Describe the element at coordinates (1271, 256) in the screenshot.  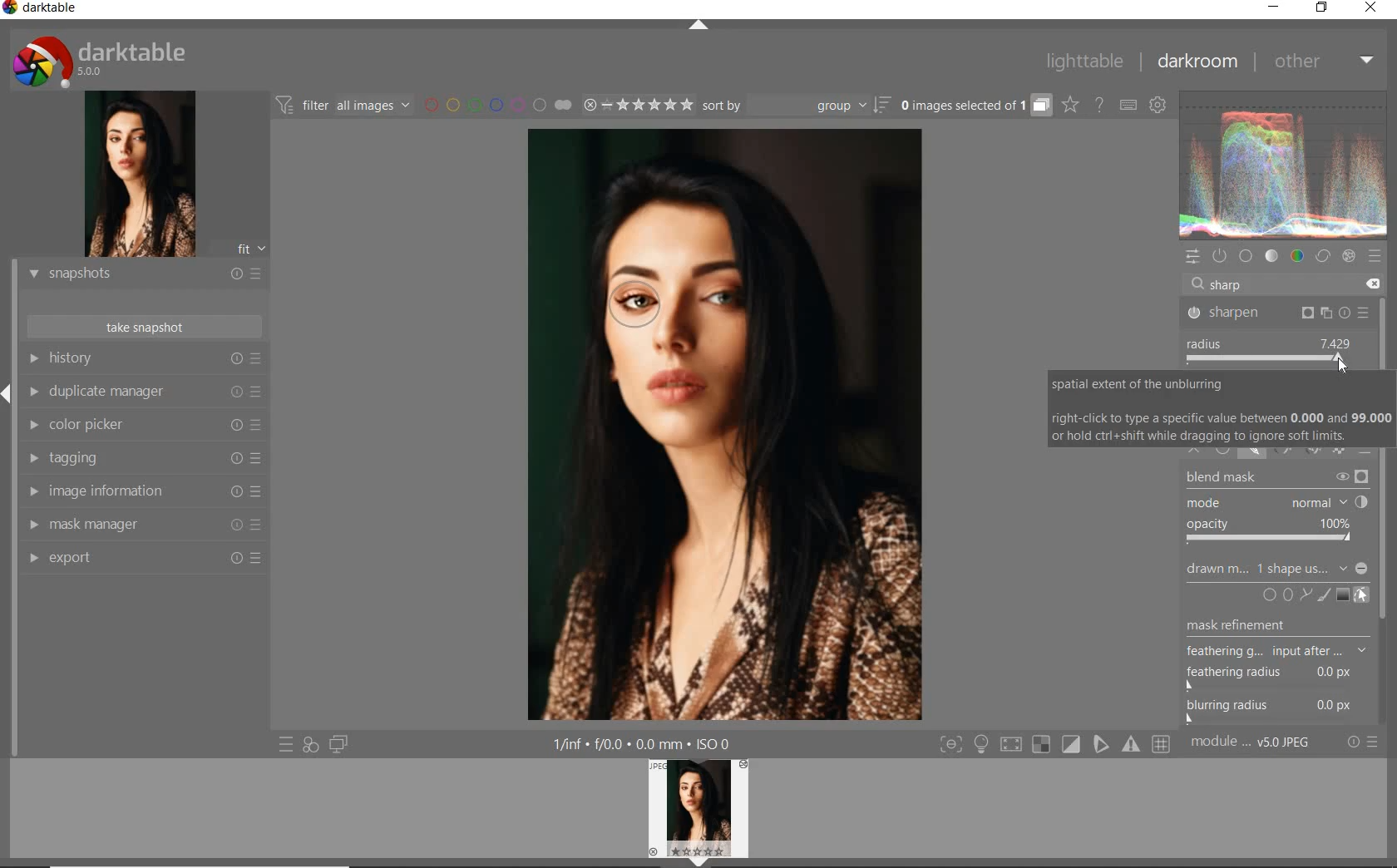
I see `tone` at that location.